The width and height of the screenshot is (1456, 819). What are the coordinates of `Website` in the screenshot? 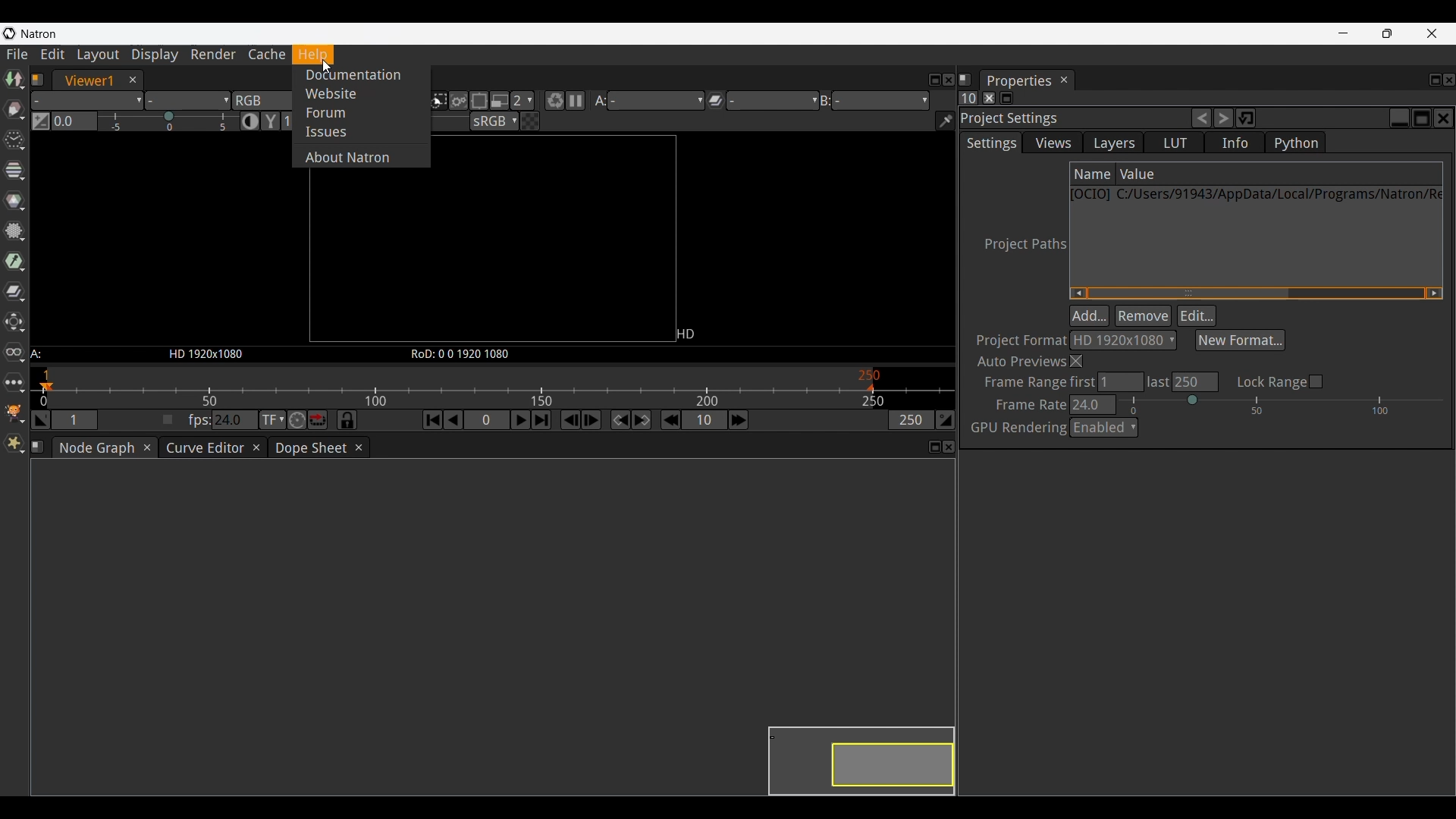 It's located at (359, 93).